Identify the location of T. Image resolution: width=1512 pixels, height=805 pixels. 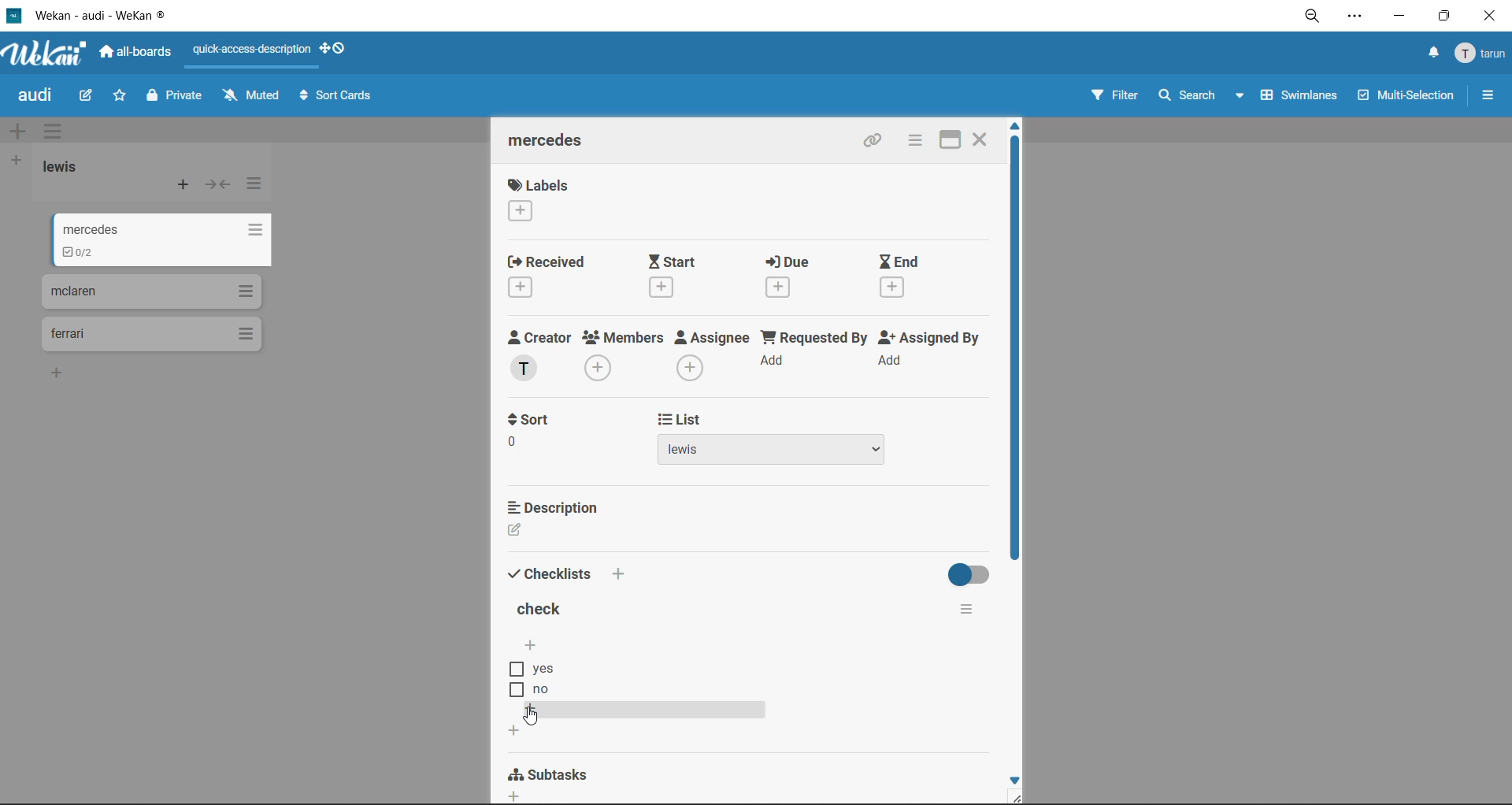
(524, 369).